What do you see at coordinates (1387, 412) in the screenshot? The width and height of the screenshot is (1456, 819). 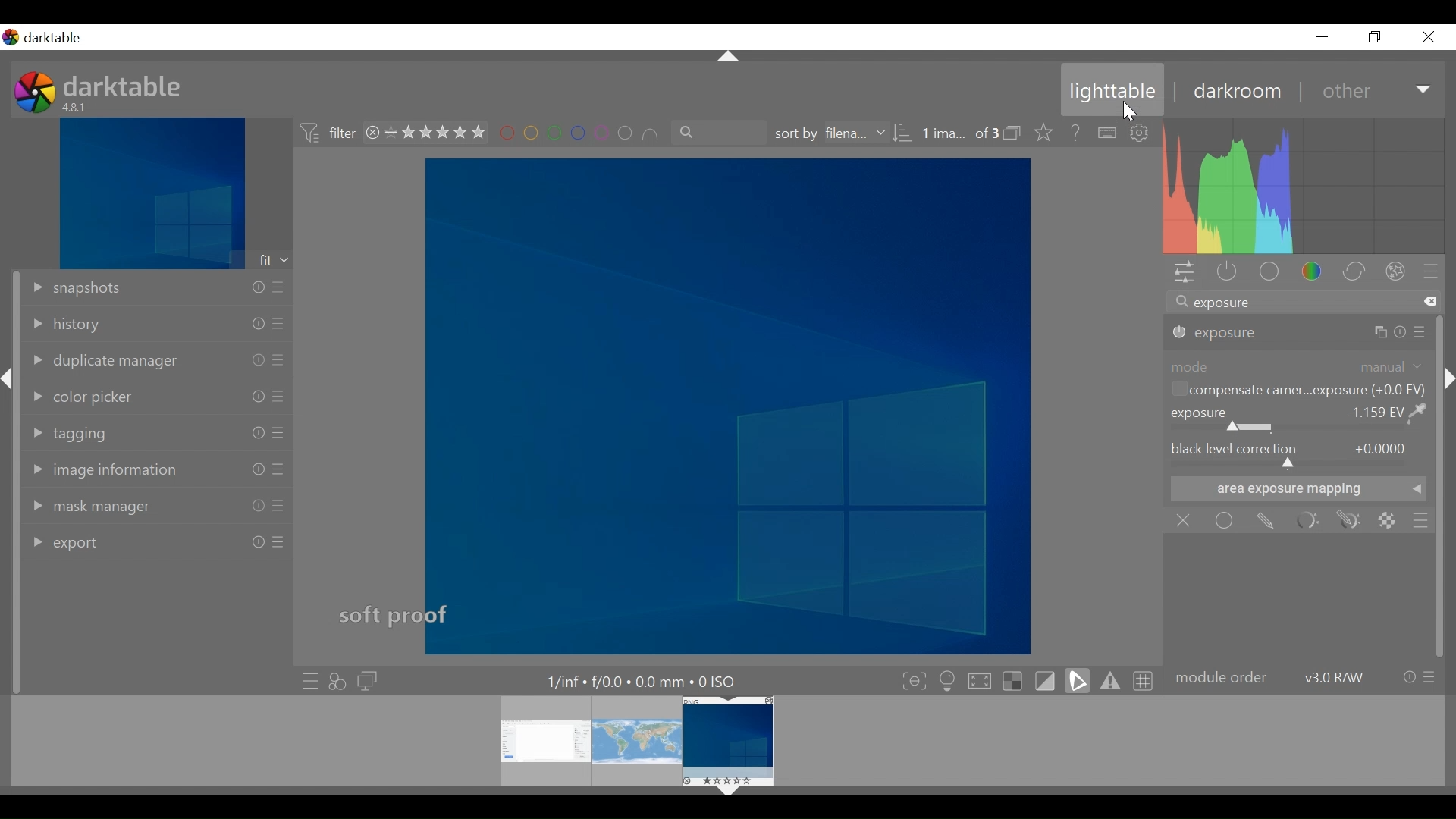 I see `+0.000EV` at bounding box center [1387, 412].